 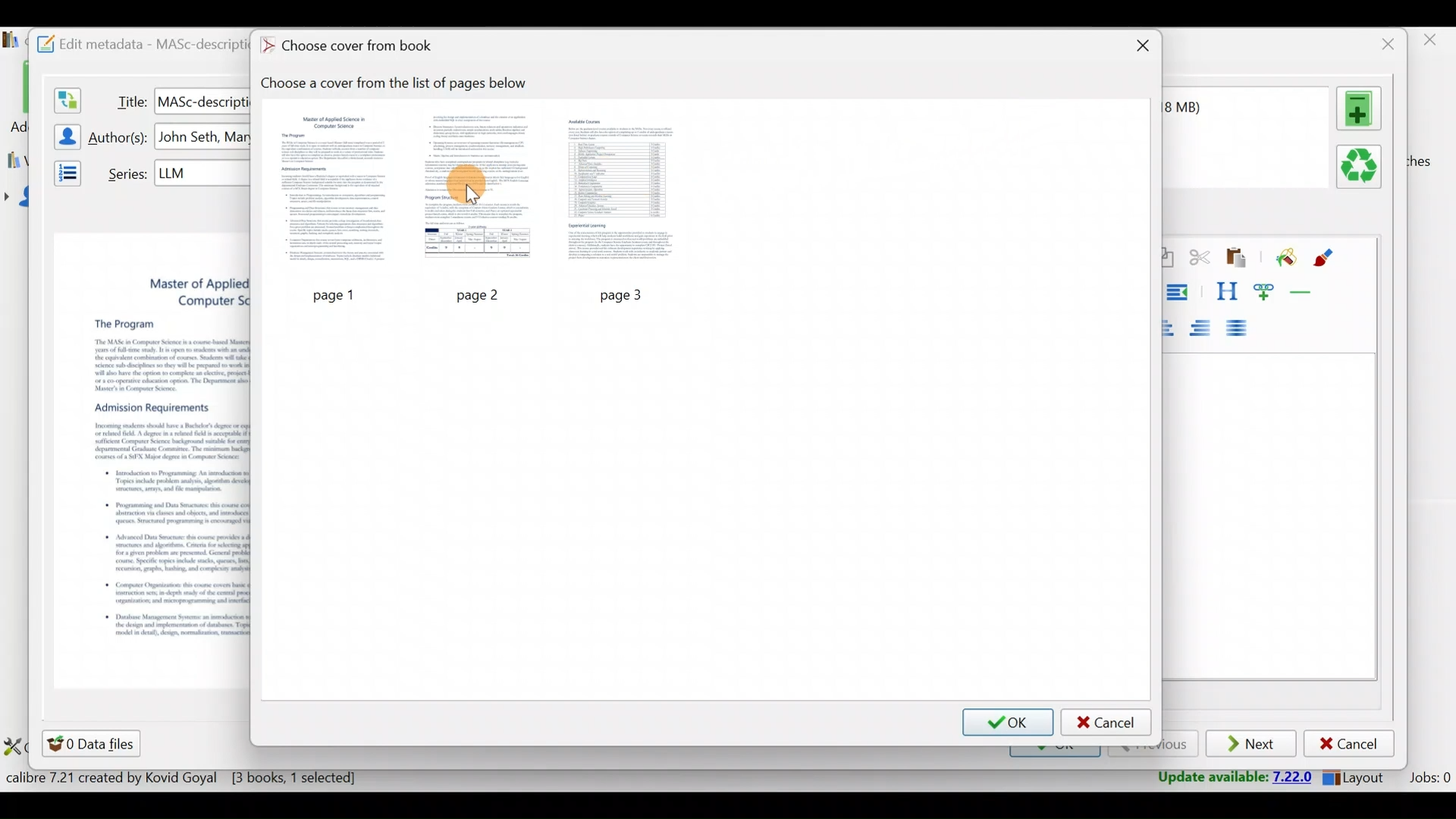 What do you see at coordinates (128, 99) in the screenshot?
I see `Title` at bounding box center [128, 99].